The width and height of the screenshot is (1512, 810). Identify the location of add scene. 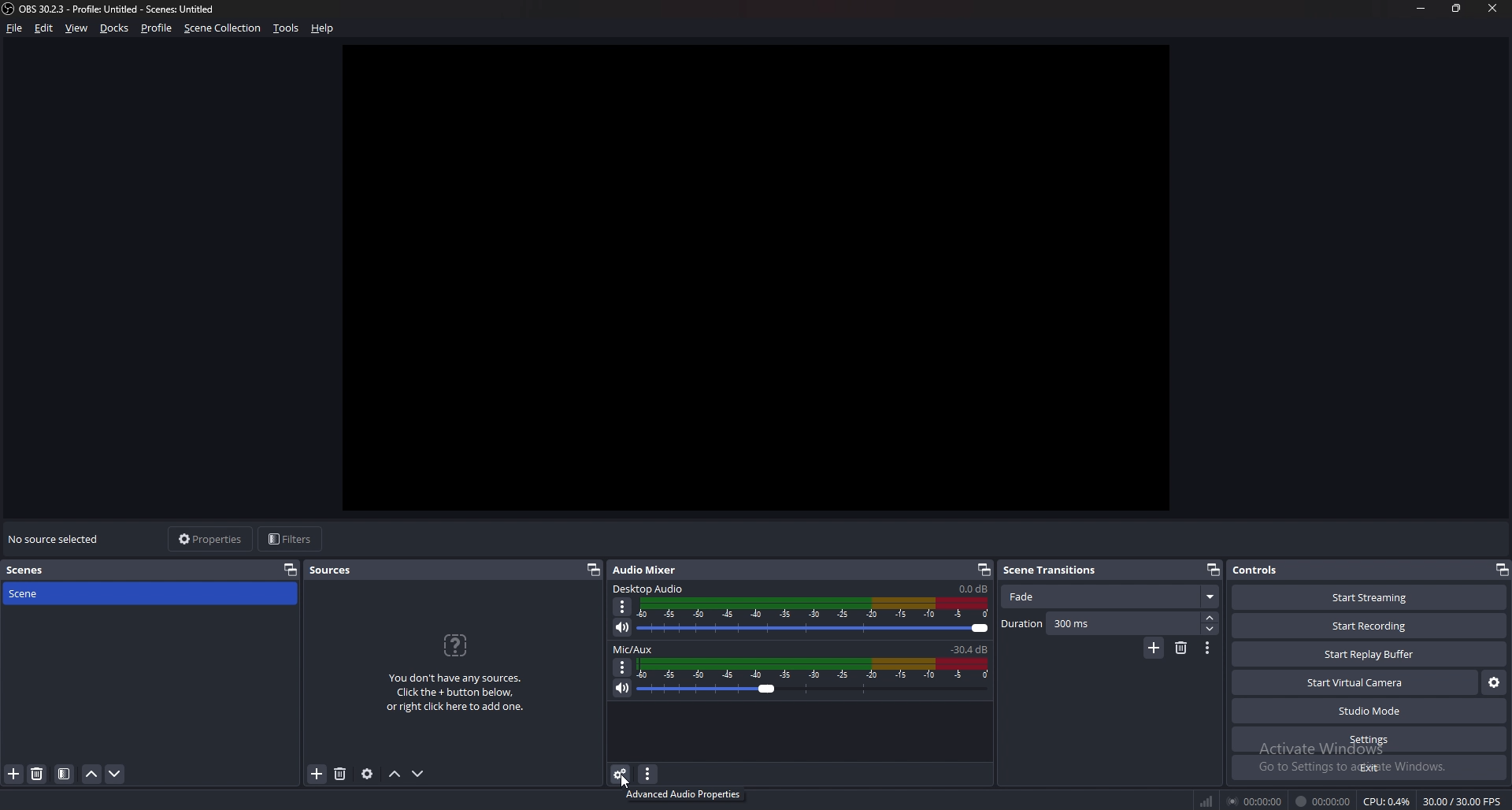
(13, 774).